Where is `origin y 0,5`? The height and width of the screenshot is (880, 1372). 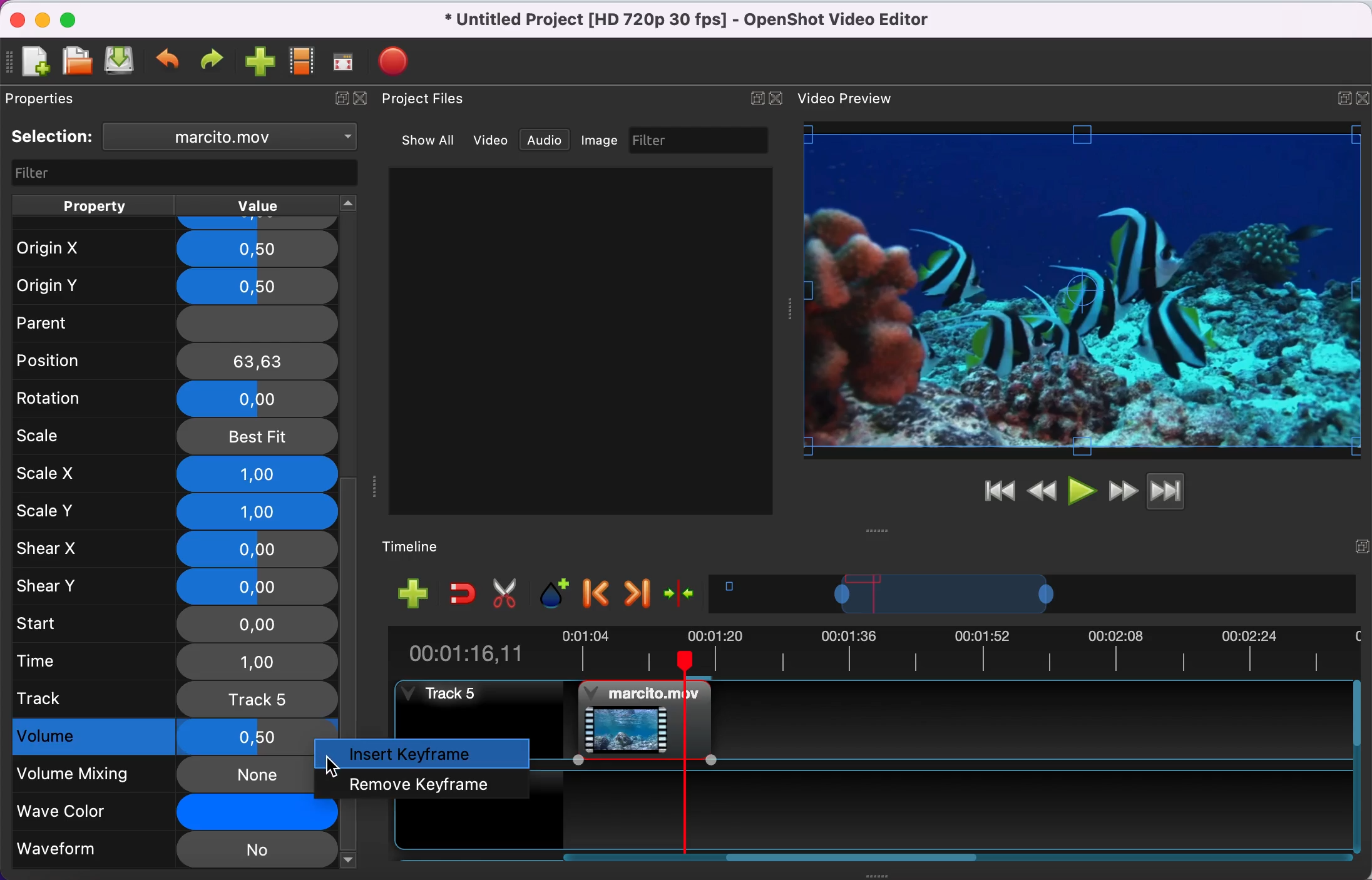
origin y 0,5 is located at coordinates (176, 283).